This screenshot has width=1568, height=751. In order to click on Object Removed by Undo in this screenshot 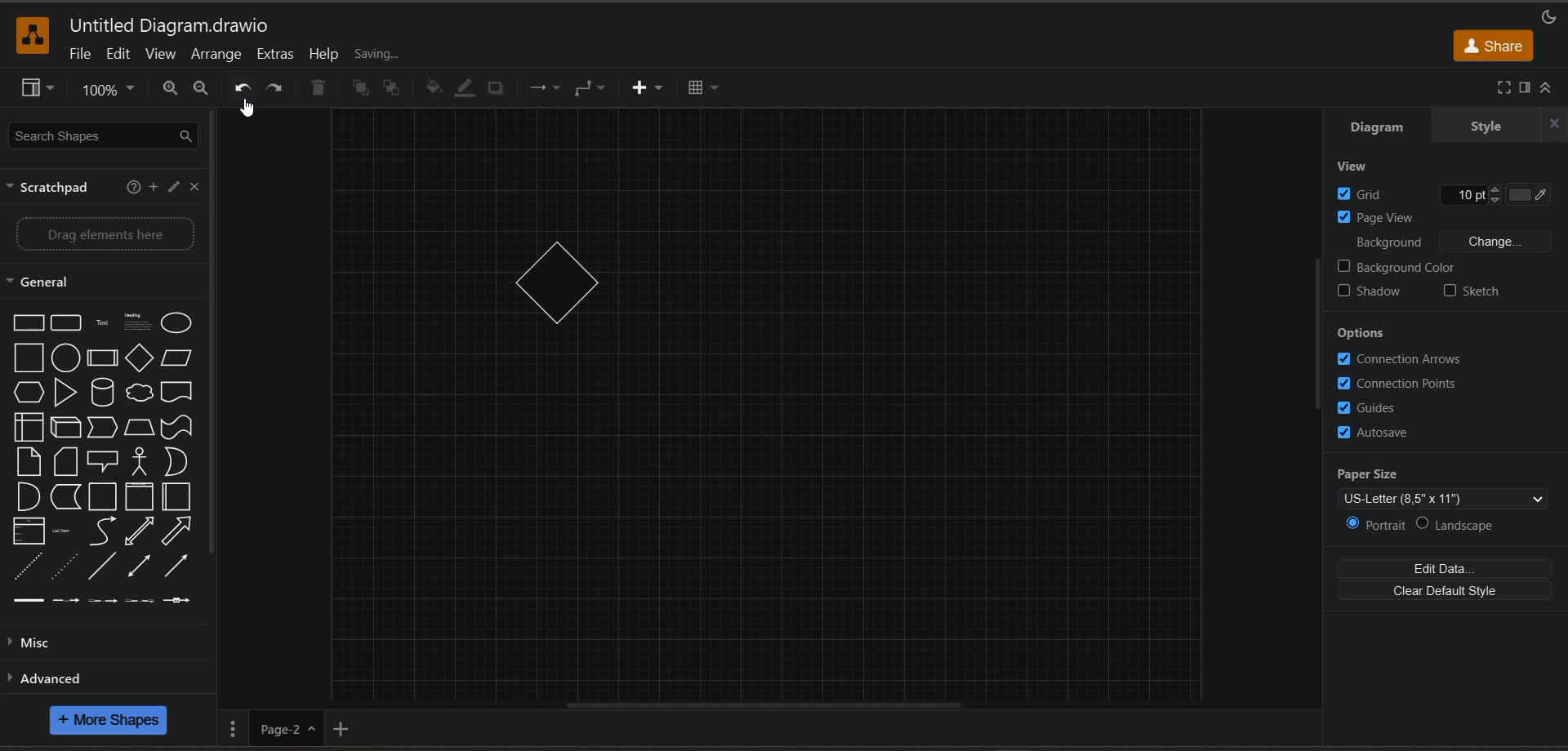, I will do `click(772, 405)`.